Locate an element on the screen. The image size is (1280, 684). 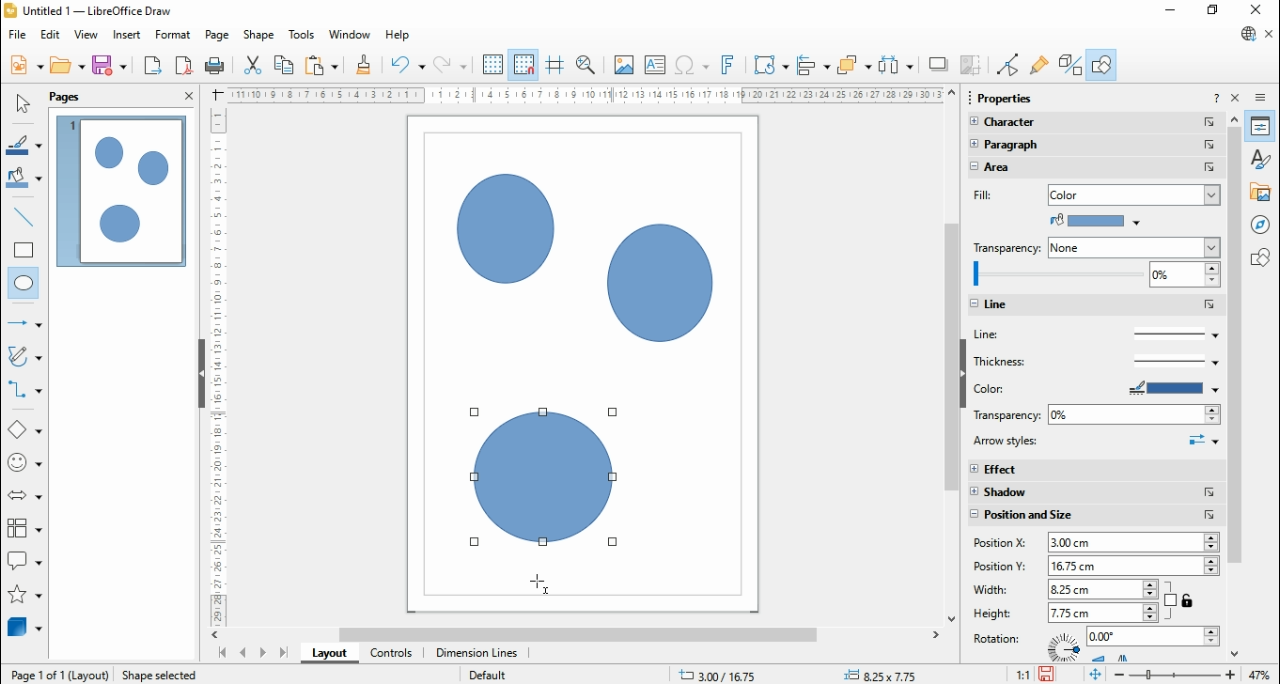
color is located at coordinates (1134, 193).